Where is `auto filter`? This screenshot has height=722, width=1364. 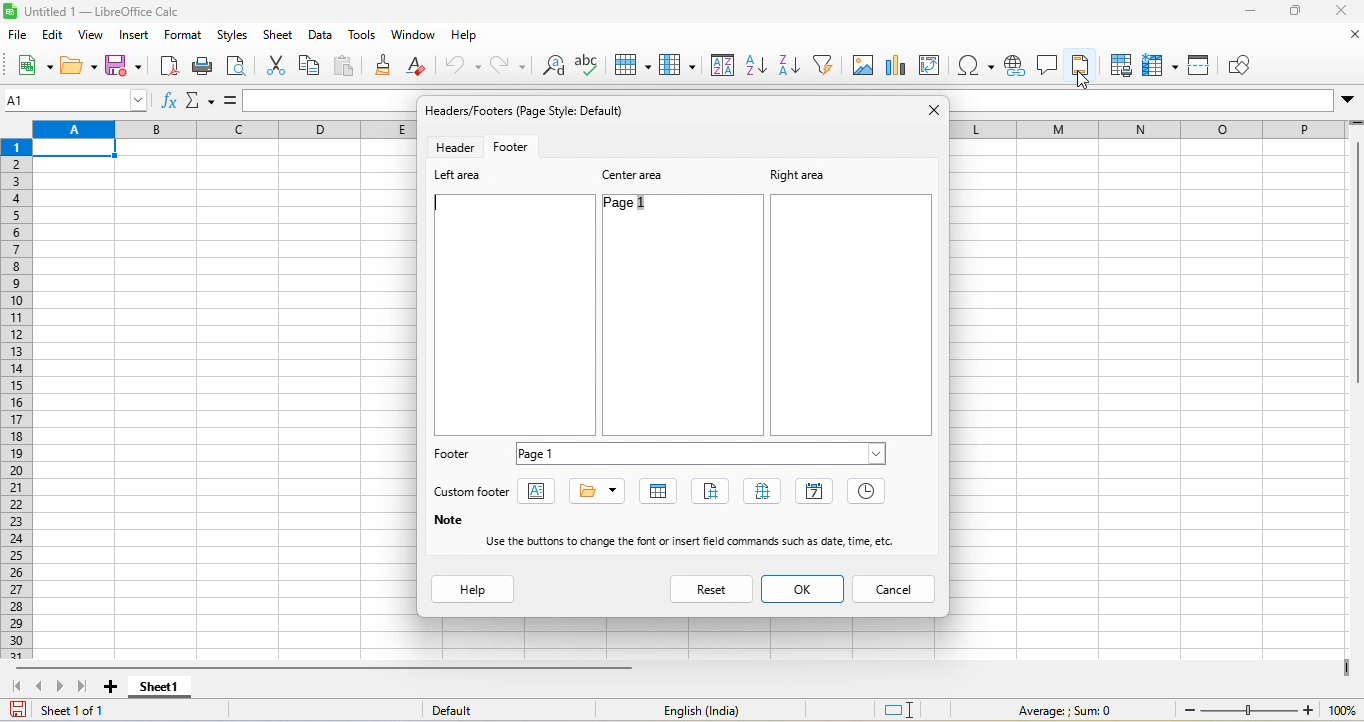 auto filter is located at coordinates (826, 64).